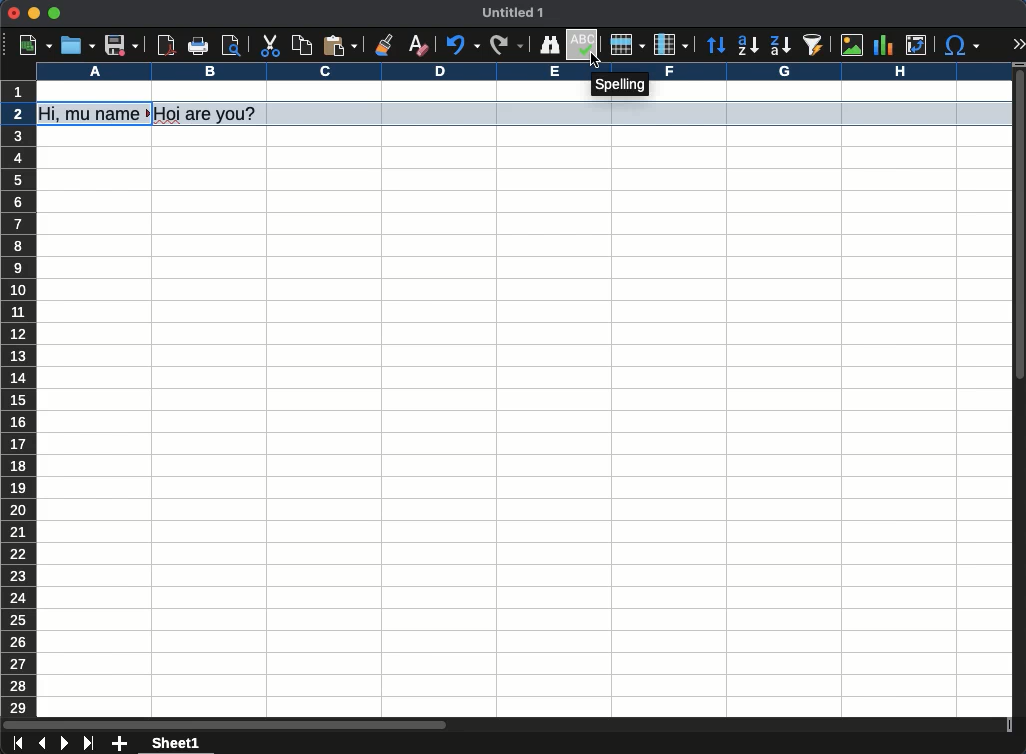 Image resolution: width=1026 pixels, height=754 pixels. What do you see at coordinates (962, 46) in the screenshot?
I see `special character` at bounding box center [962, 46].